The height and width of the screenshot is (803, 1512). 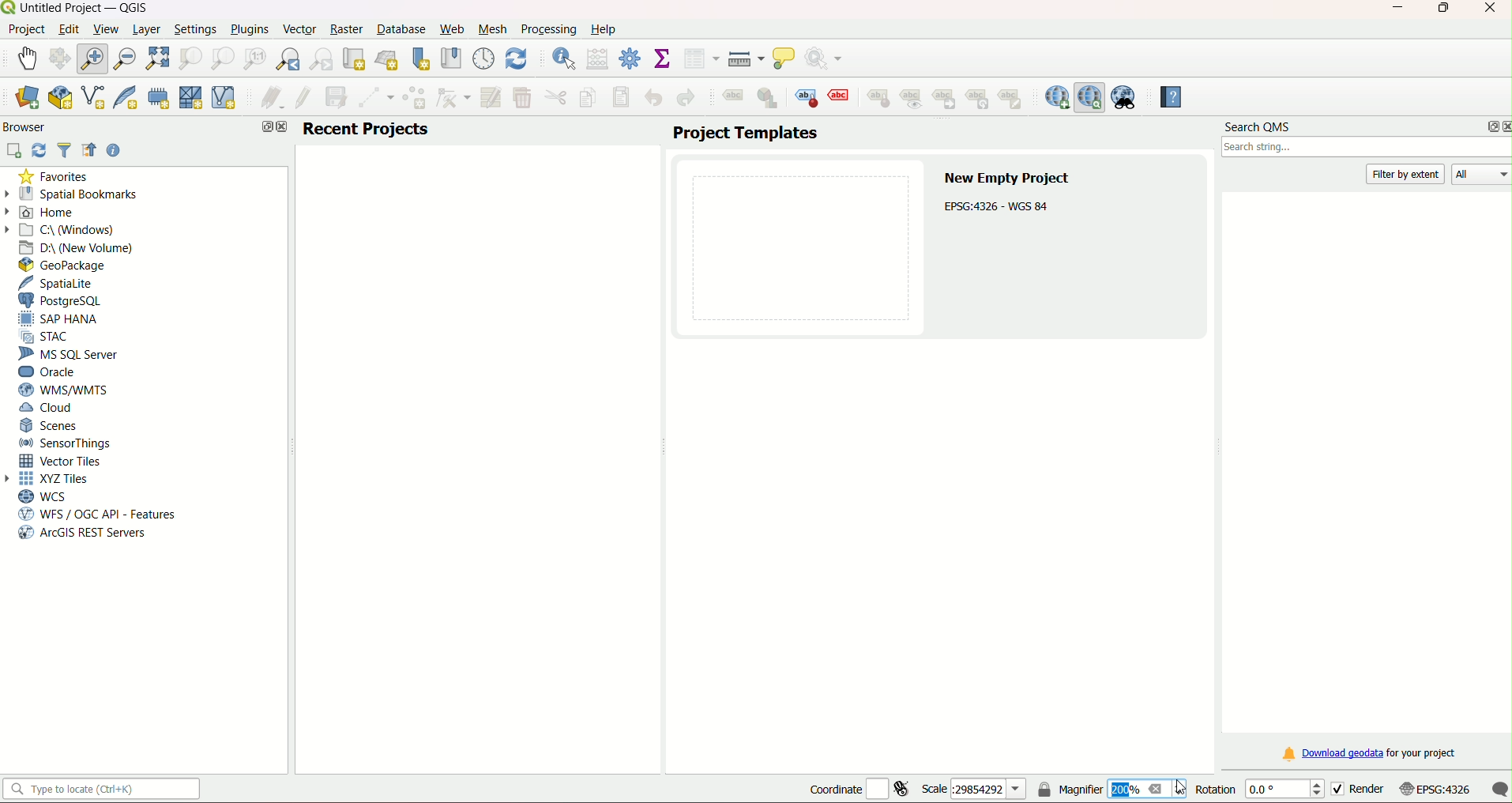 I want to click on web, so click(x=452, y=29).